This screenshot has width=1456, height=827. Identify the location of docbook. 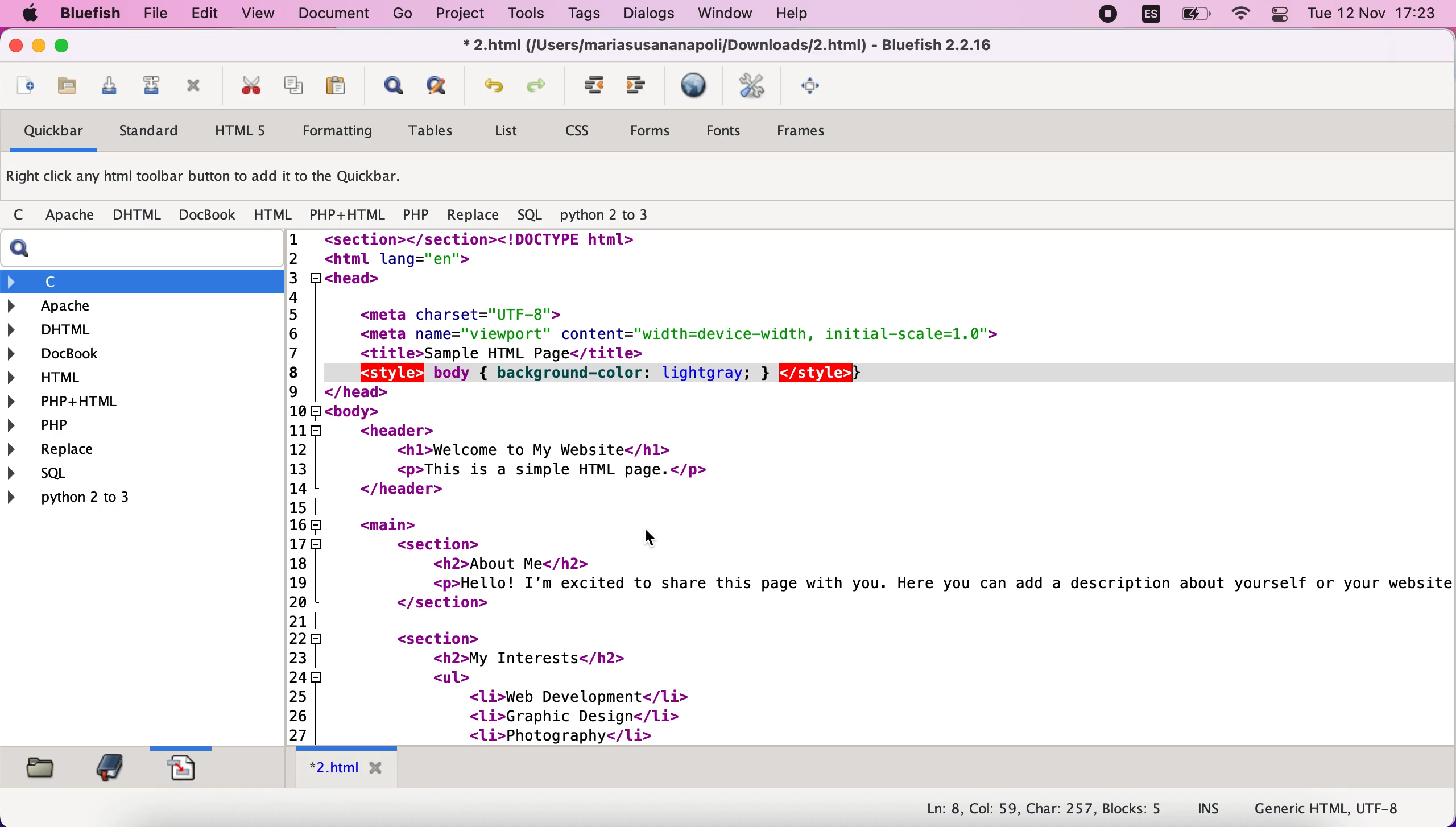
(209, 214).